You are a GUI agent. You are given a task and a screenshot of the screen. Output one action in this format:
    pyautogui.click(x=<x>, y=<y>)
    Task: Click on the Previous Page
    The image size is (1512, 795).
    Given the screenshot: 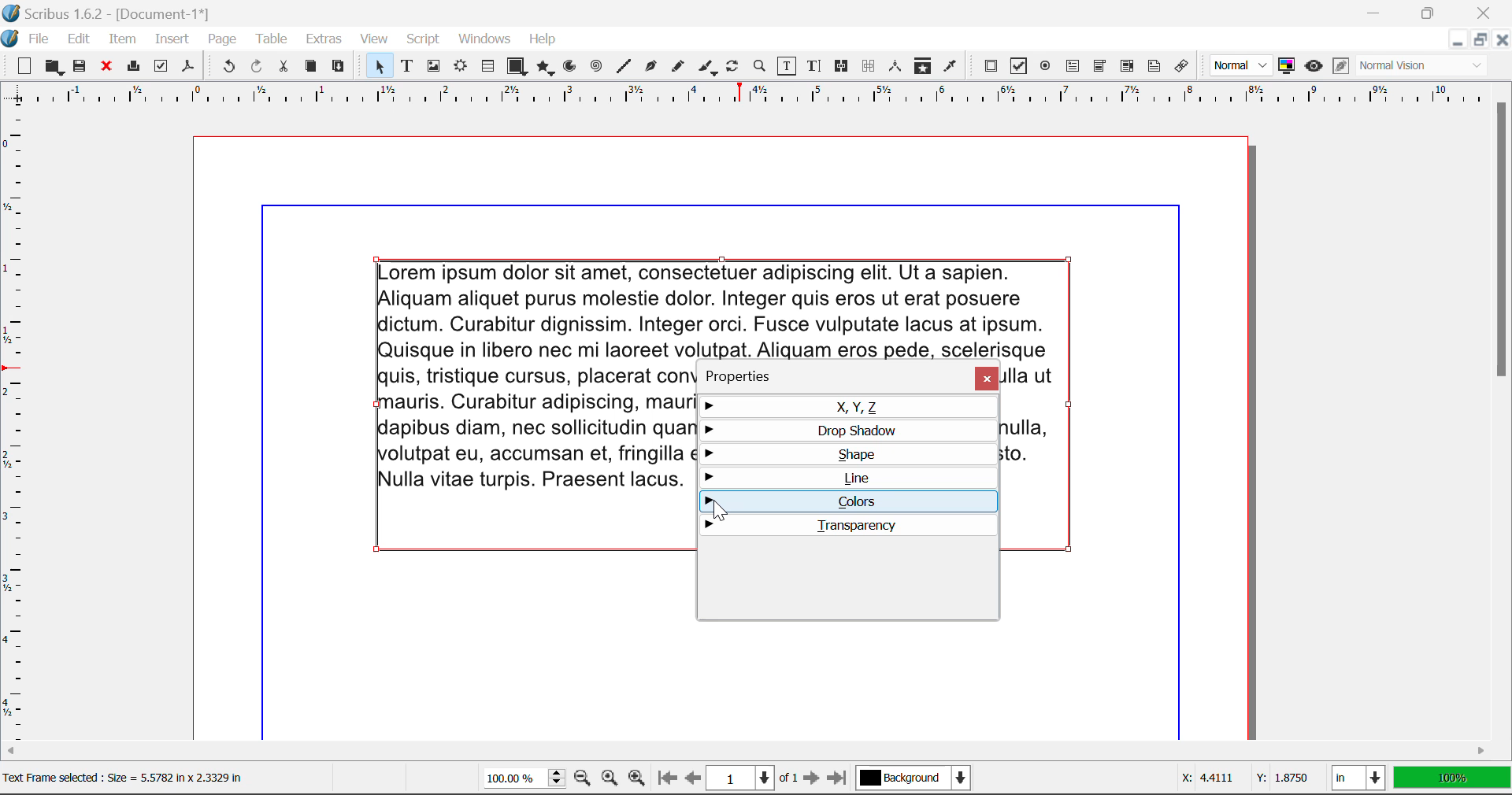 What is the action you would take?
    pyautogui.click(x=693, y=780)
    